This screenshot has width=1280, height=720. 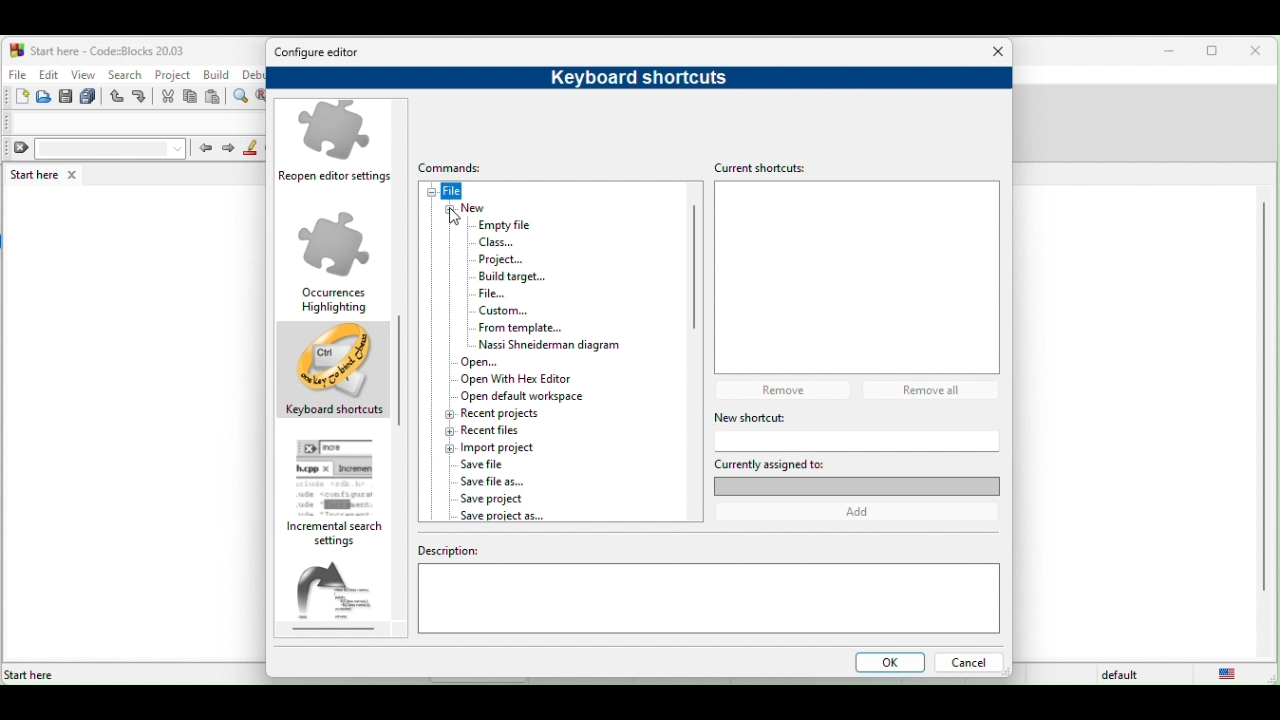 I want to click on search, so click(x=124, y=74).